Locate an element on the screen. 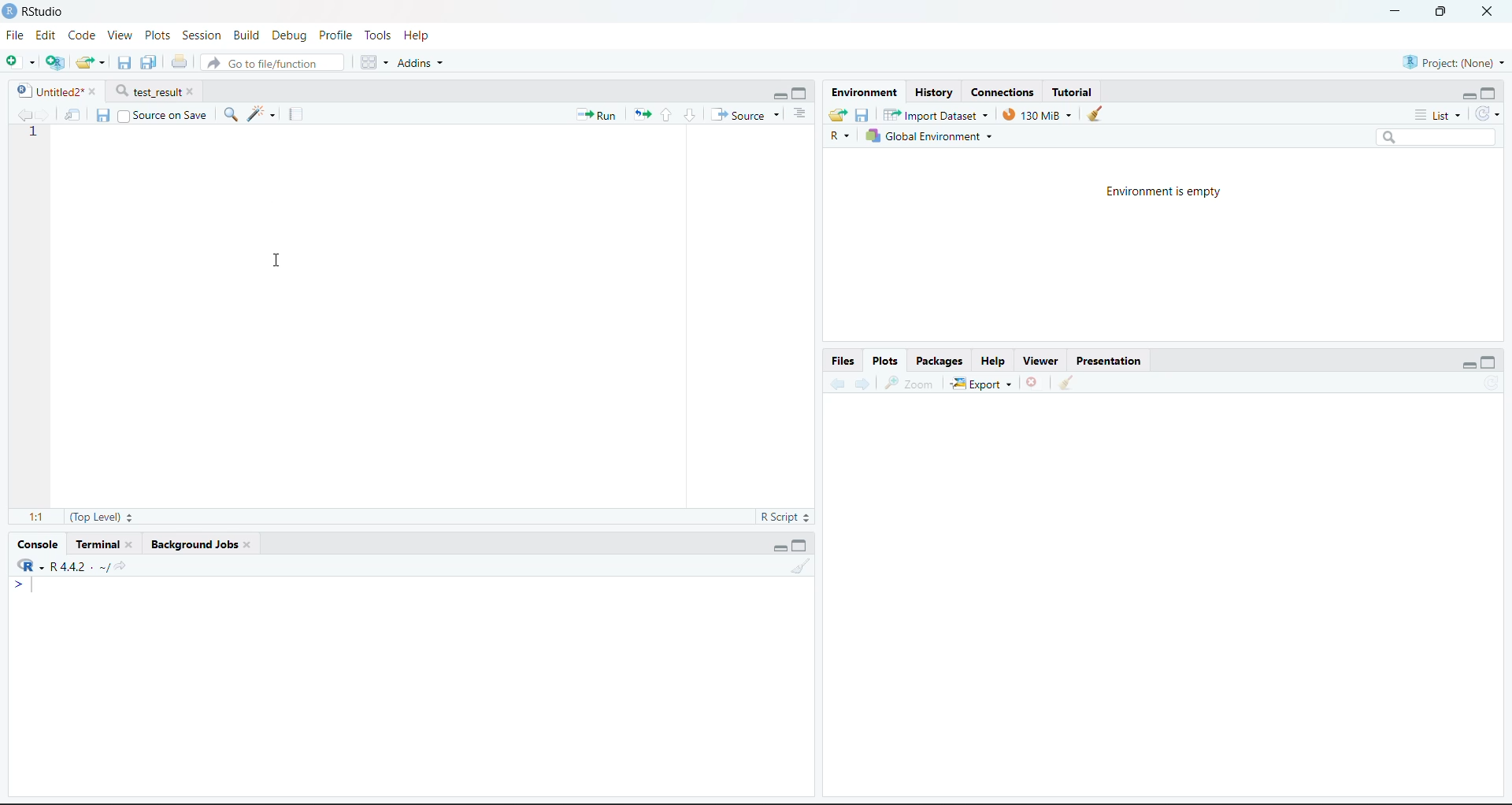  Minimize is located at coordinates (777, 95).